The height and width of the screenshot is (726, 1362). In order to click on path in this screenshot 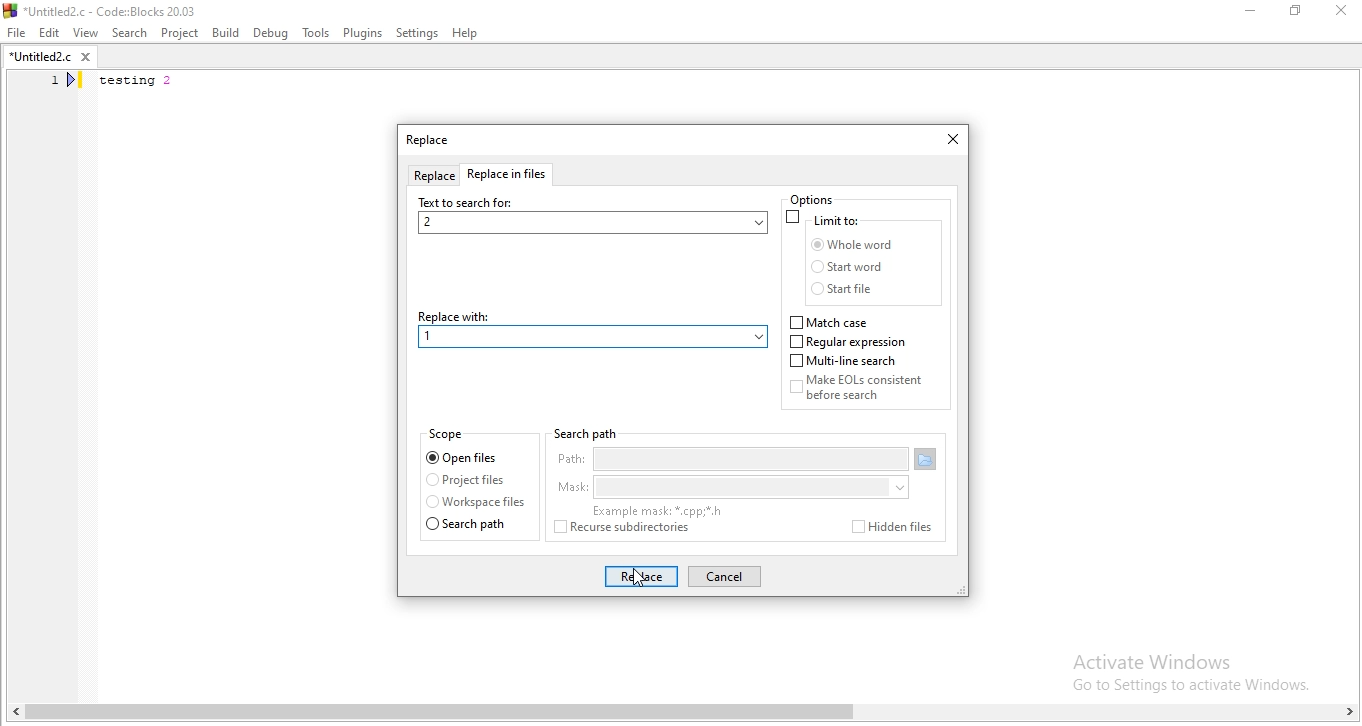, I will do `click(730, 461)`.